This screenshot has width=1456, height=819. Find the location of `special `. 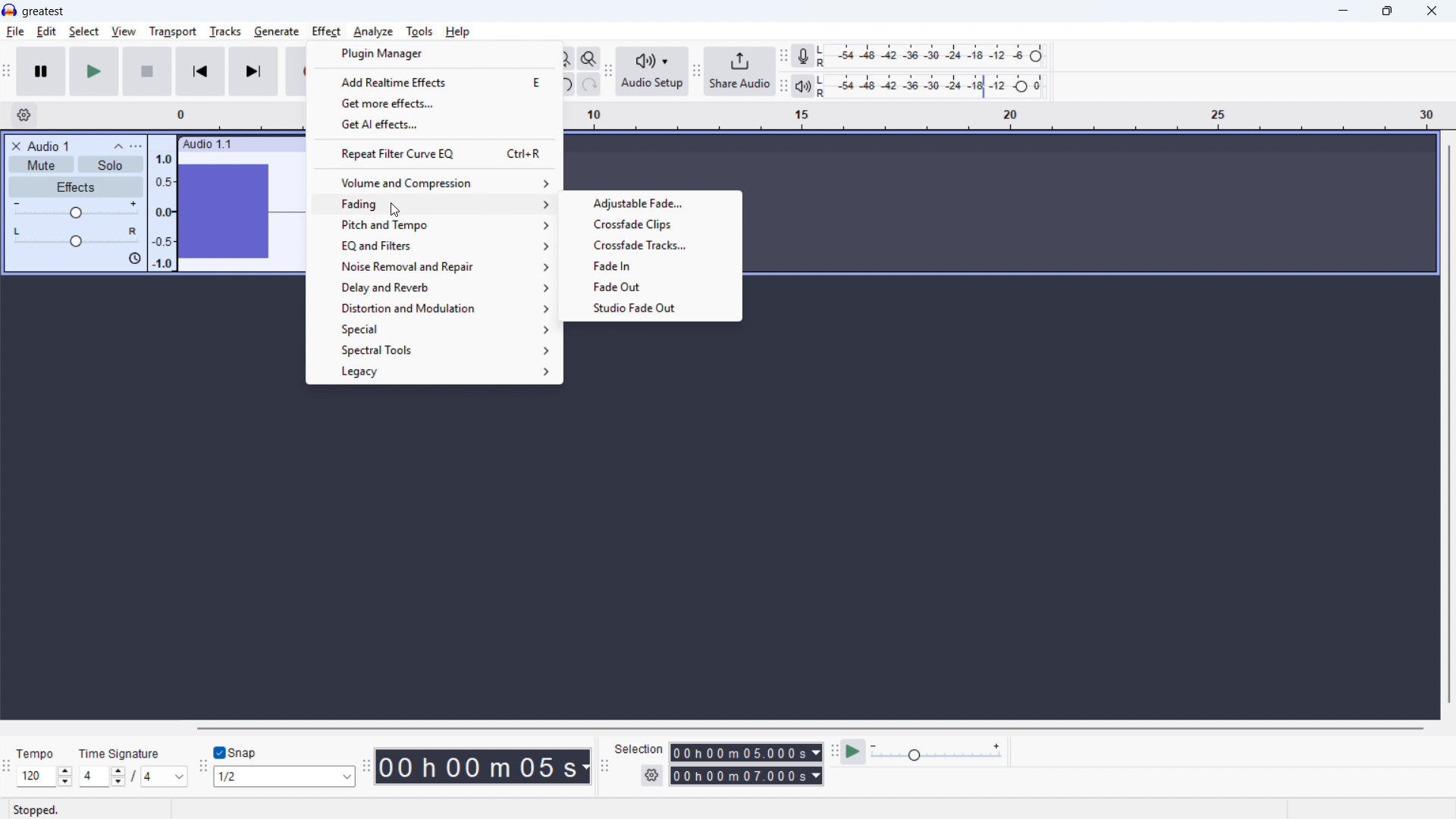

special  is located at coordinates (435, 330).